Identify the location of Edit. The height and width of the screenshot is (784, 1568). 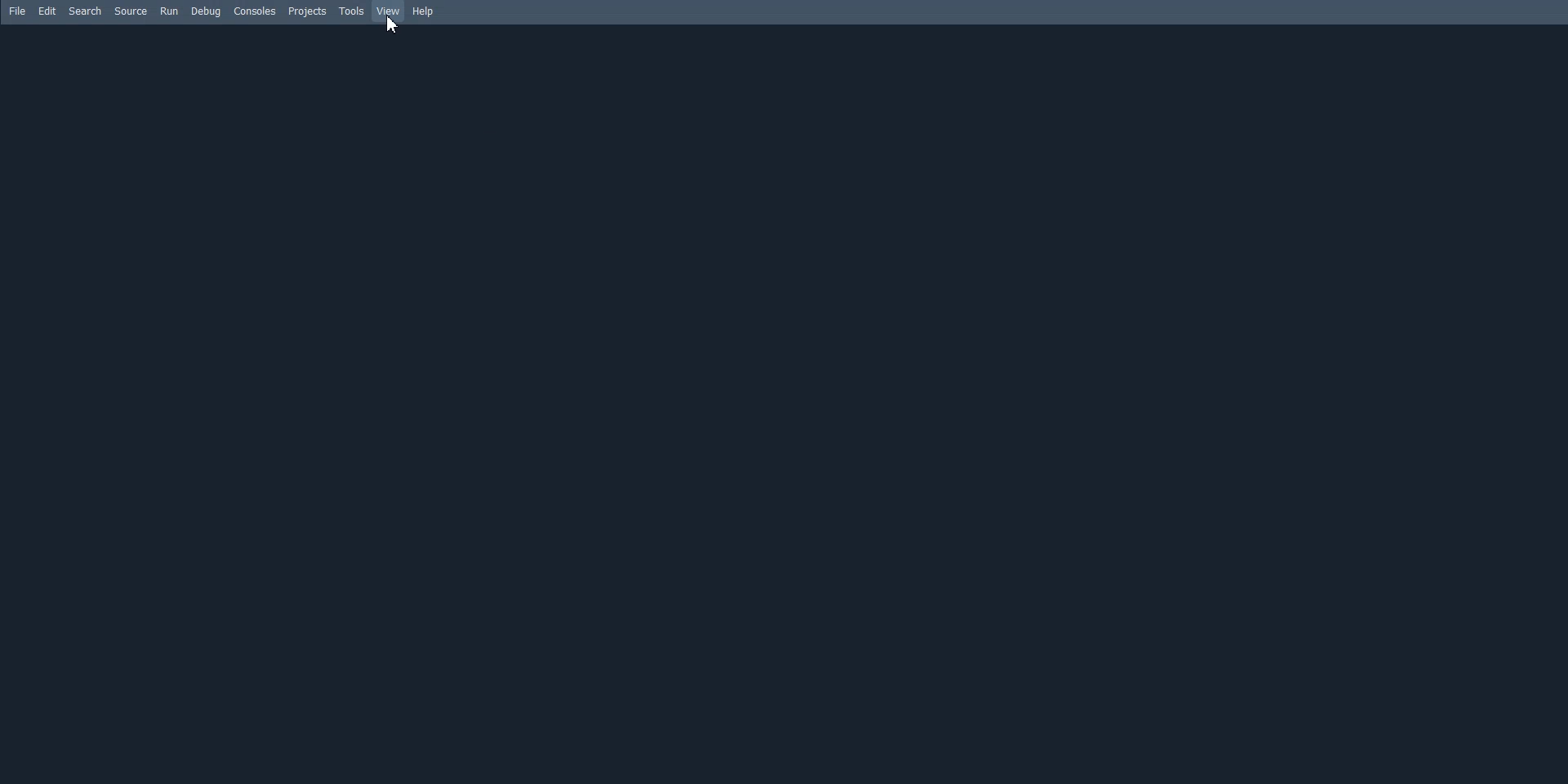
(47, 11).